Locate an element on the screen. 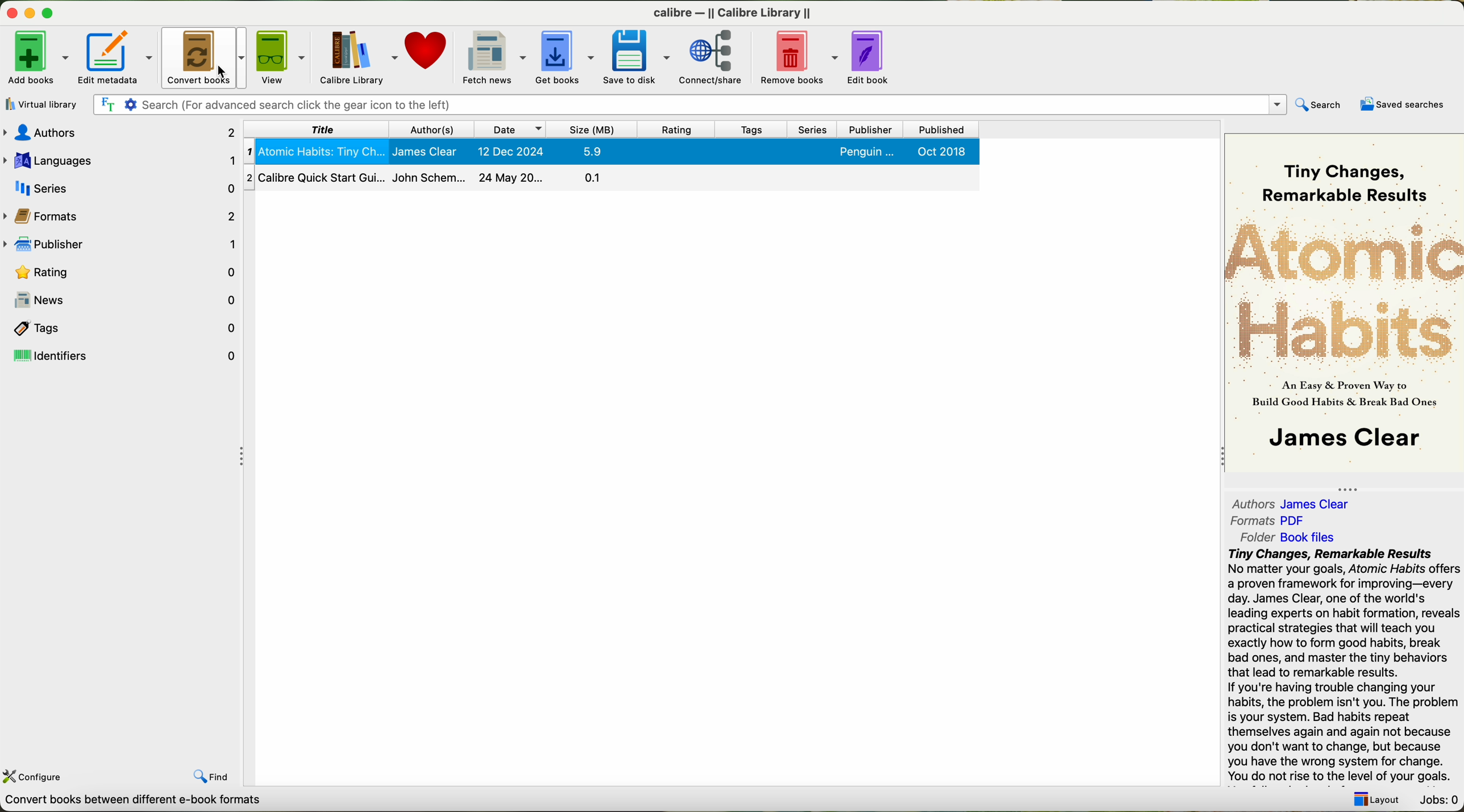 This screenshot has height=812, width=1464. authors is located at coordinates (119, 134).